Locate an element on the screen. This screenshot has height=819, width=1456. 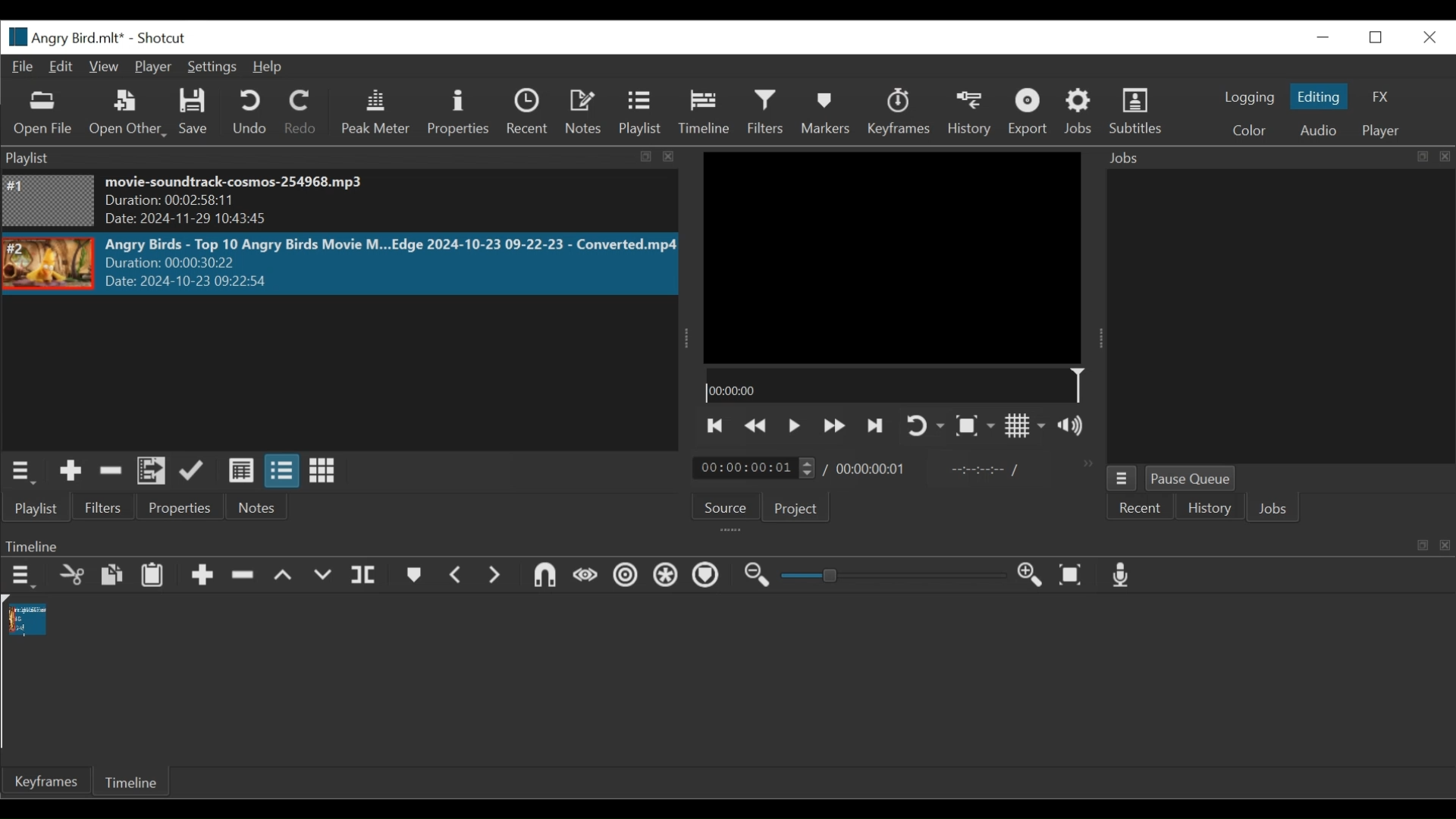
Add files to the playlist is located at coordinates (152, 472).